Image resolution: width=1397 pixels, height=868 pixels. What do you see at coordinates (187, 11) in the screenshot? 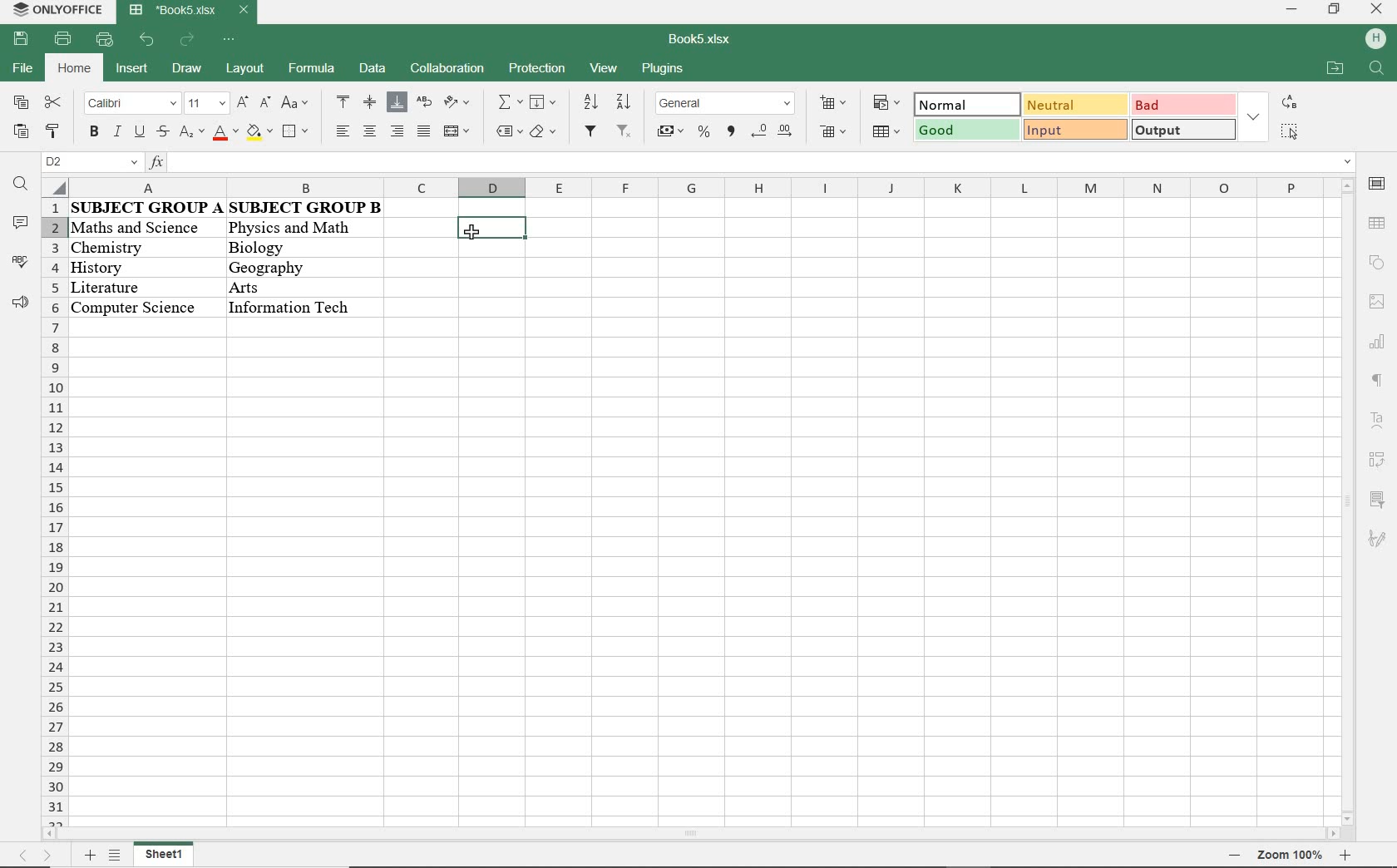
I see `document name` at bounding box center [187, 11].